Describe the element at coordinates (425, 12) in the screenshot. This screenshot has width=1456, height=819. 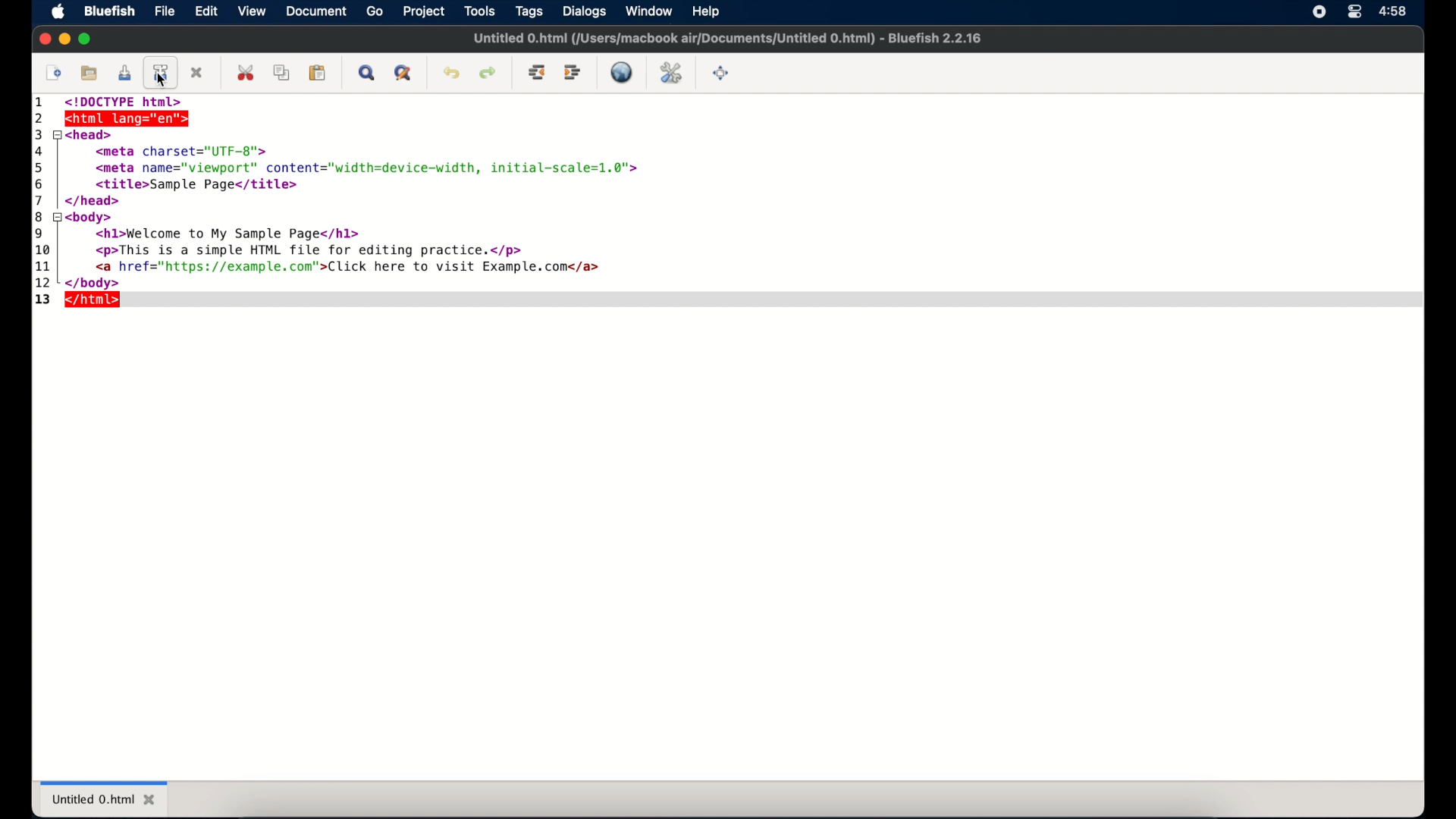
I see `project` at that location.